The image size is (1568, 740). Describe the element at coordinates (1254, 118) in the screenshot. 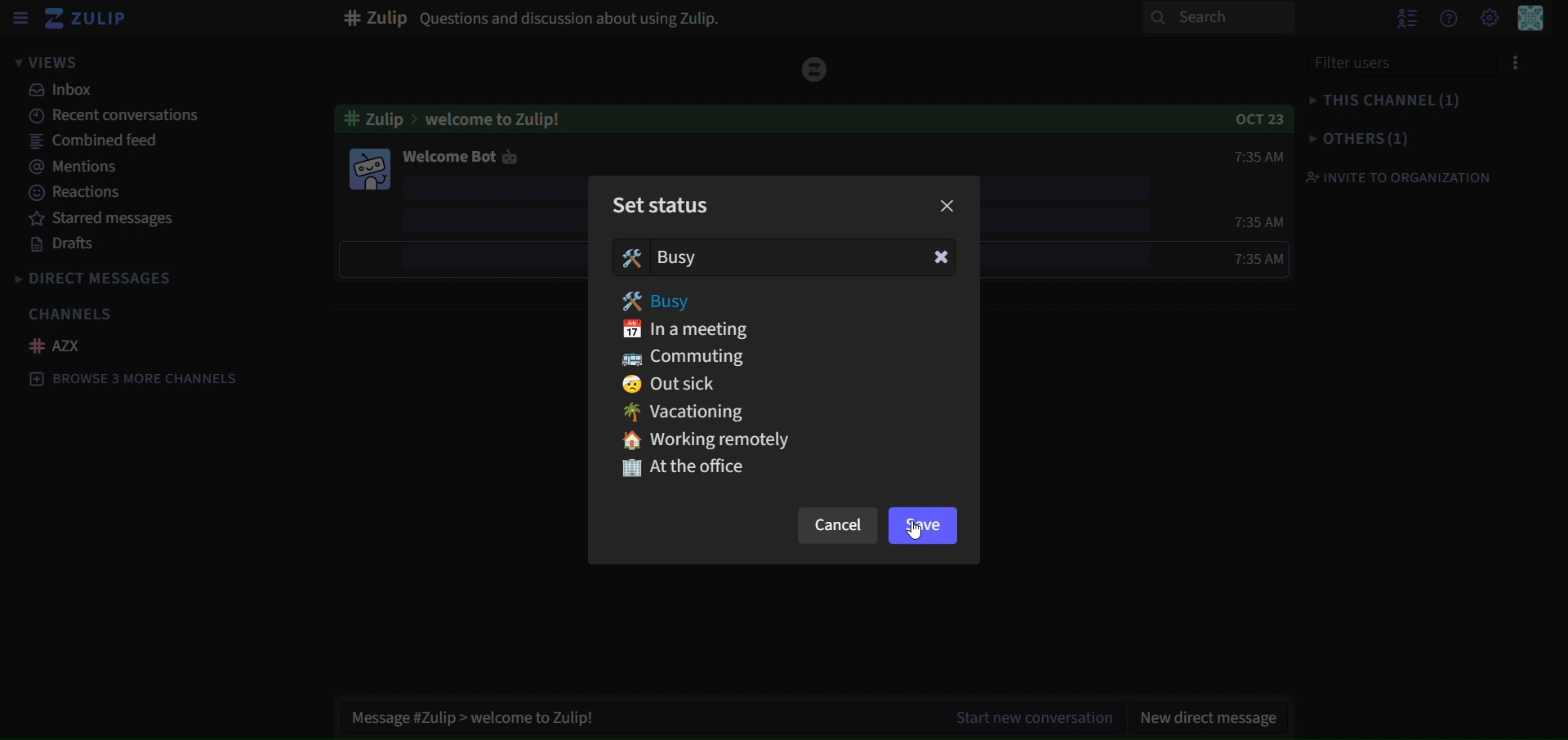

I see `OCT 23` at that location.